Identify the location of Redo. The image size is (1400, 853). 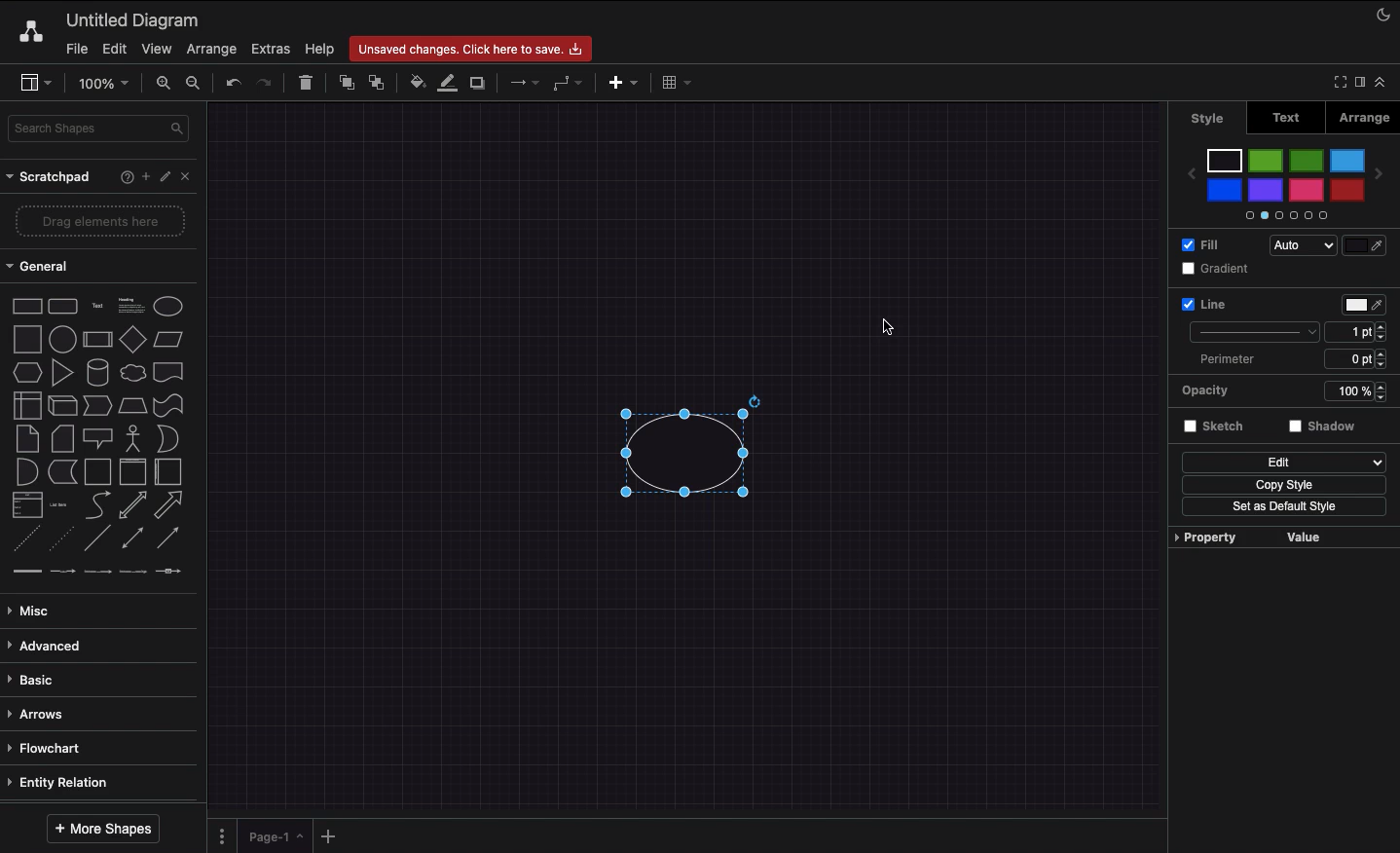
(264, 84).